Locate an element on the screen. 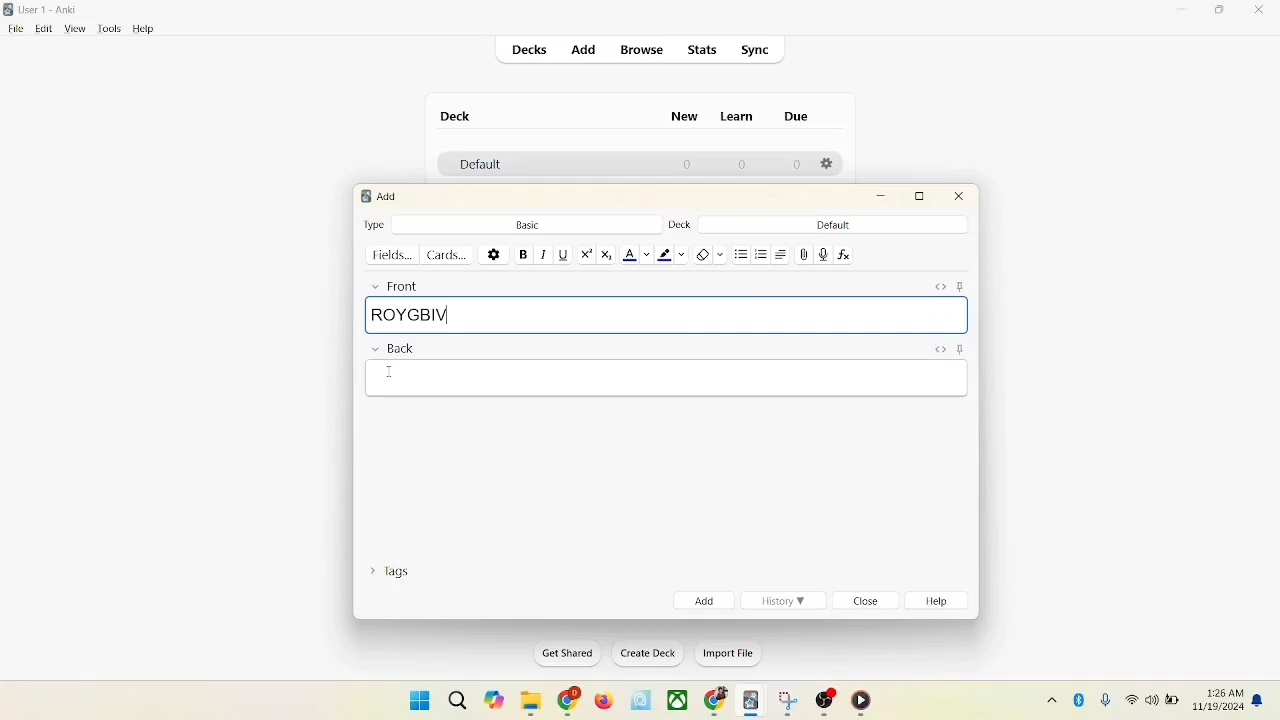  close is located at coordinates (868, 602).